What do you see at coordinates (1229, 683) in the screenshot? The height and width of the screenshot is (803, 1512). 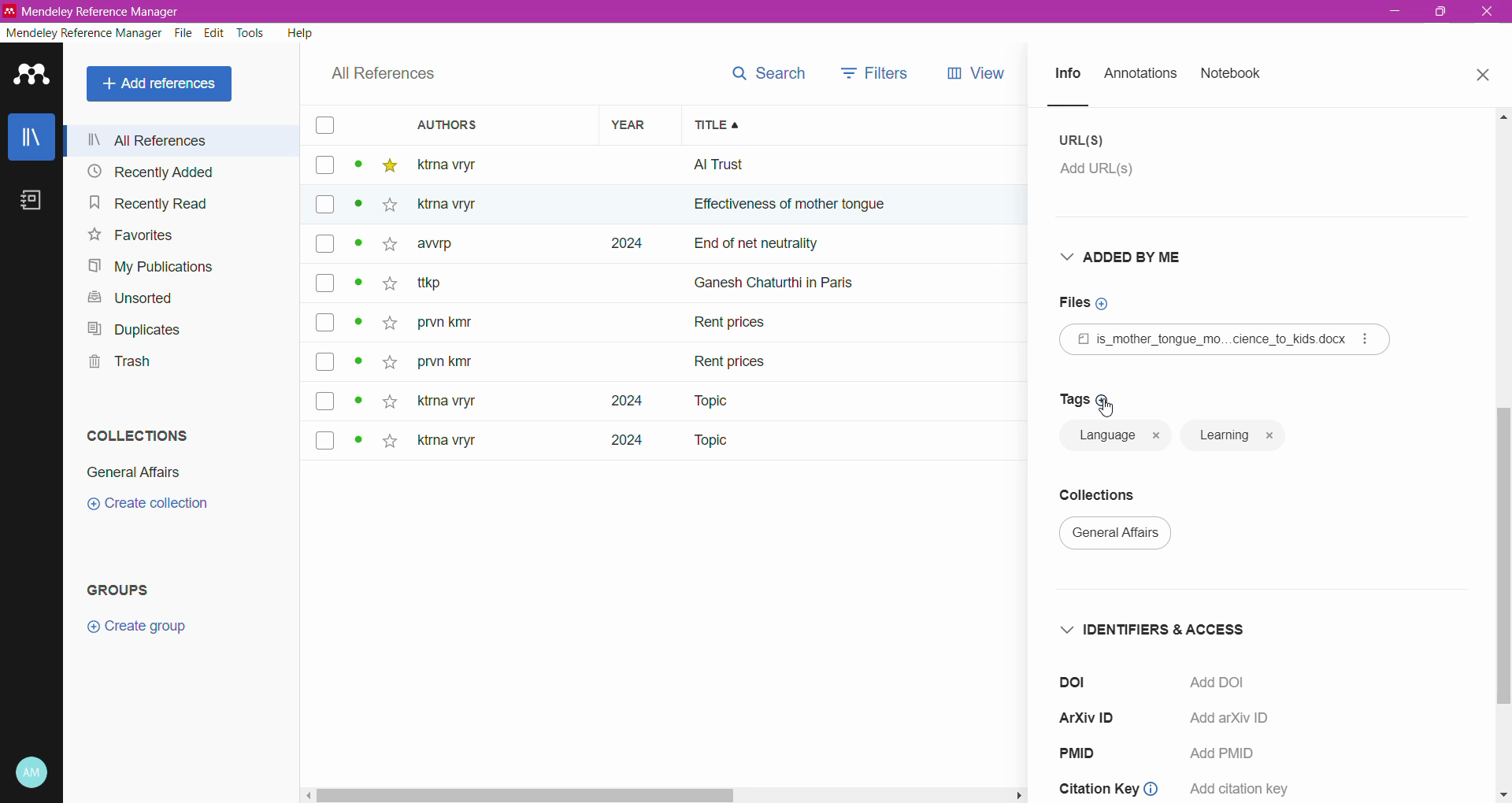 I see `Click to Add DOI` at bounding box center [1229, 683].